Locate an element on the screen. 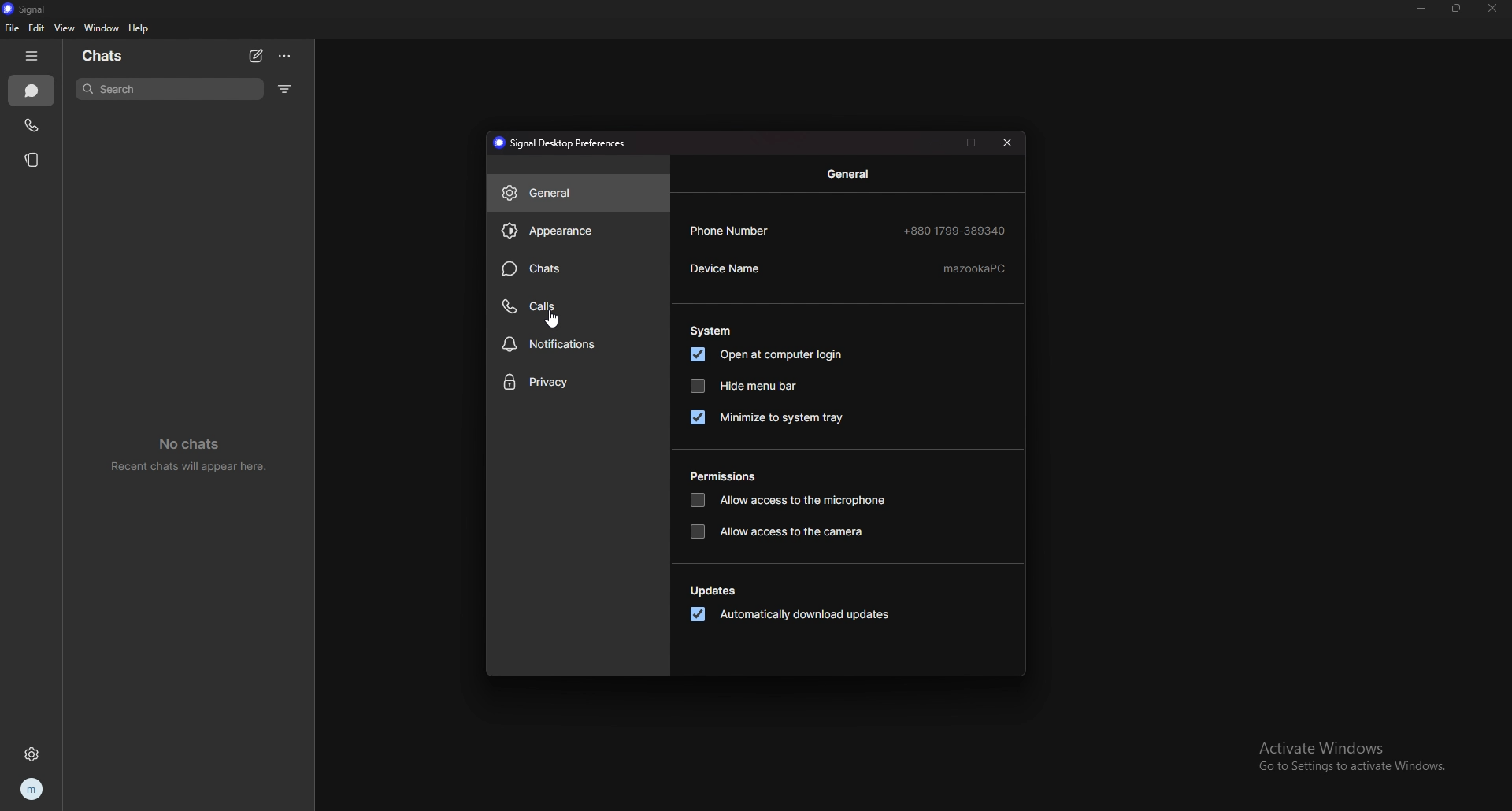 This screenshot has height=811, width=1512. notifications is located at coordinates (580, 343).